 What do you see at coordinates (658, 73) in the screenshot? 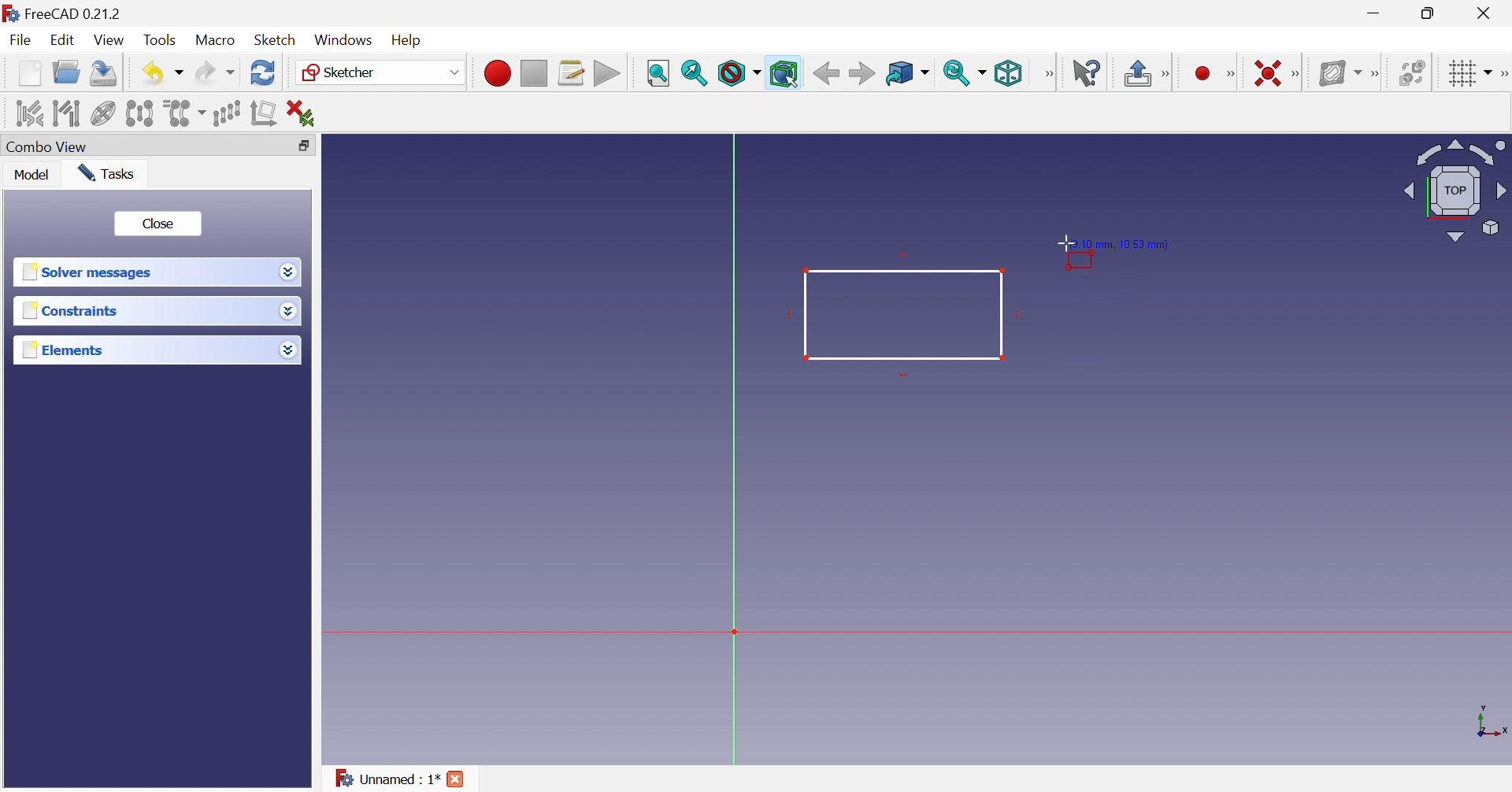
I see `Fit all` at bounding box center [658, 73].